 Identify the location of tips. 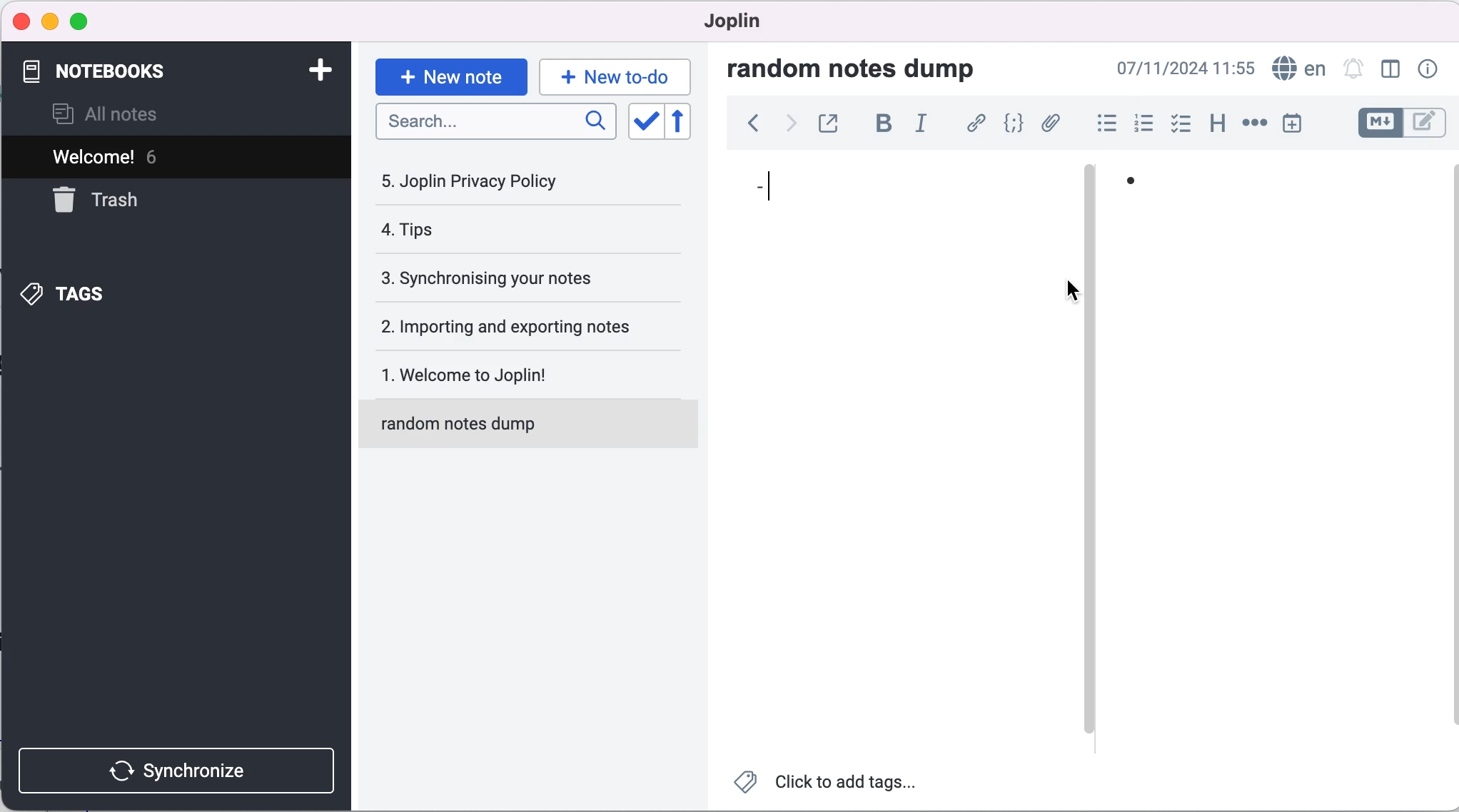
(493, 233).